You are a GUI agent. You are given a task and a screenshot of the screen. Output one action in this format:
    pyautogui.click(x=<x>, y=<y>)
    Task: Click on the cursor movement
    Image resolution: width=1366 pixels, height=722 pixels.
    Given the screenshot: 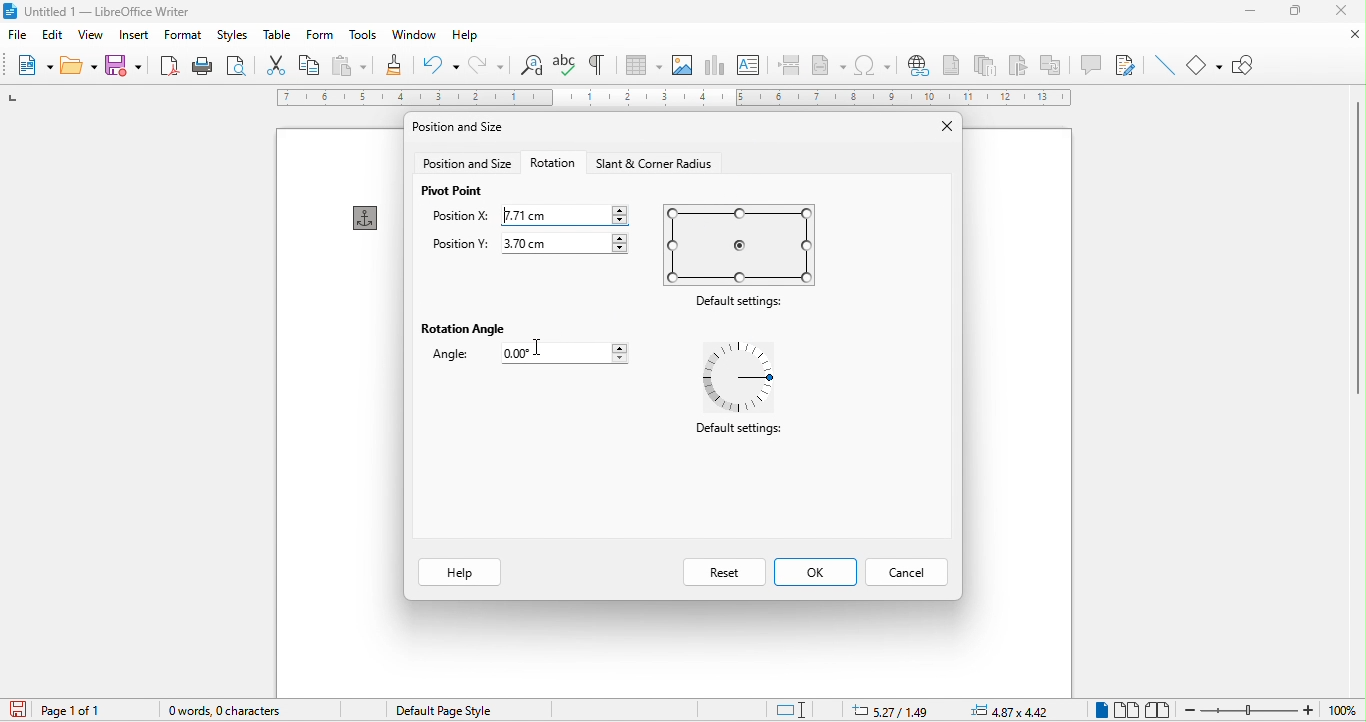 What is the action you would take?
    pyautogui.click(x=538, y=349)
    